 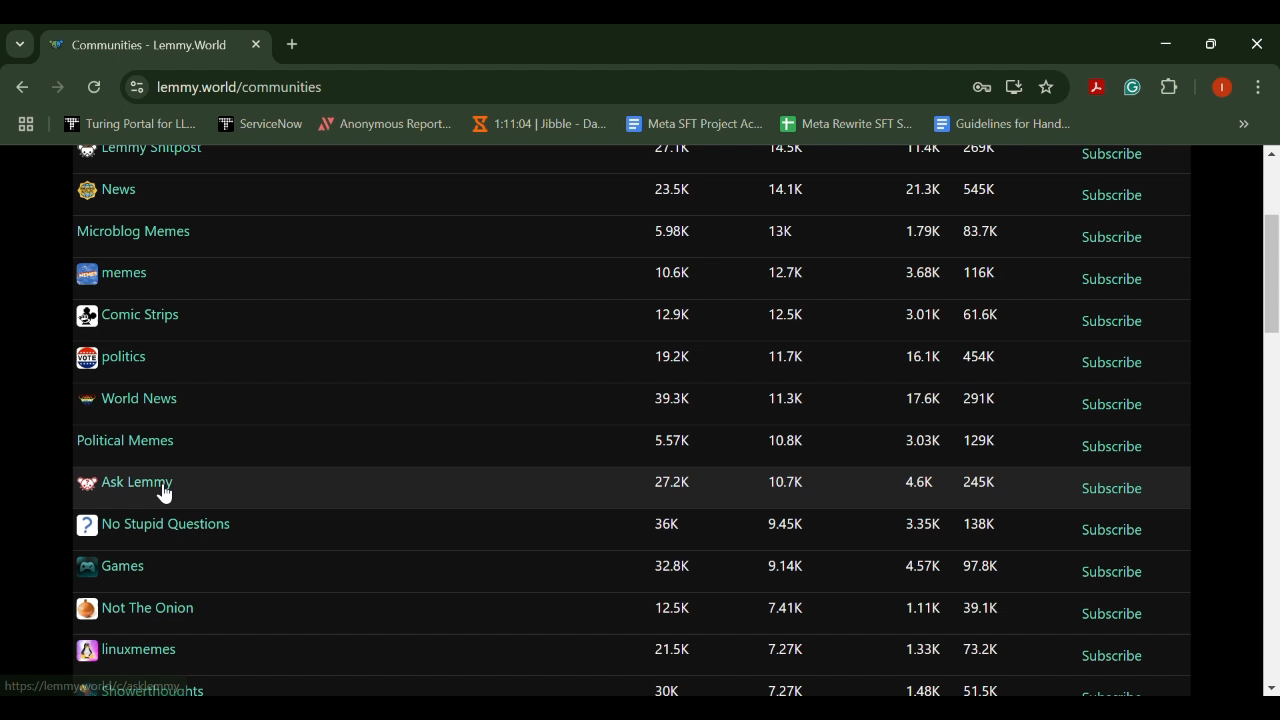 What do you see at coordinates (782, 521) in the screenshot?
I see `9.45K` at bounding box center [782, 521].